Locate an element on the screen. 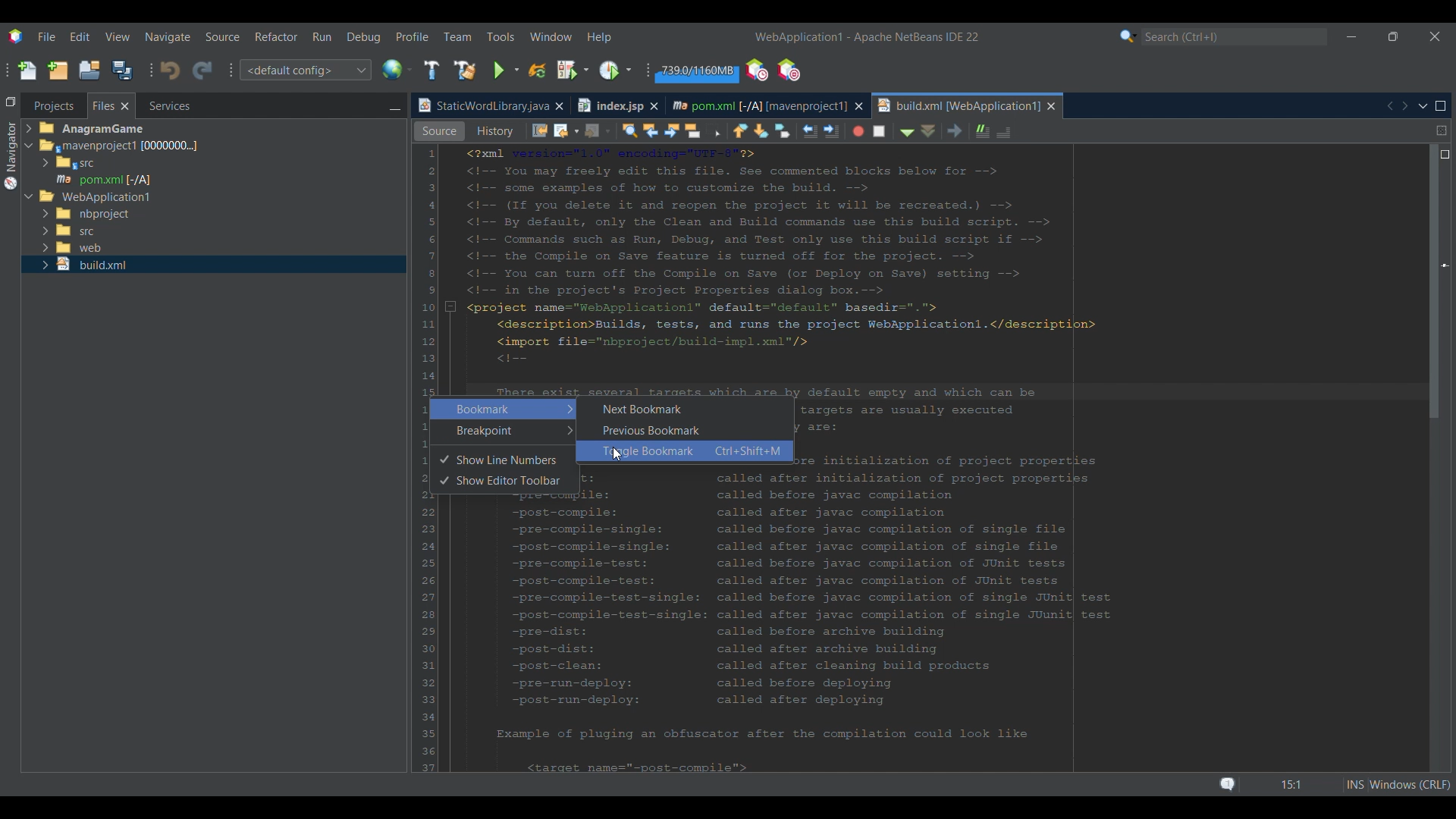 The image size is (1456, 819). Cursor right clicking is located at coordinates (433, 403).